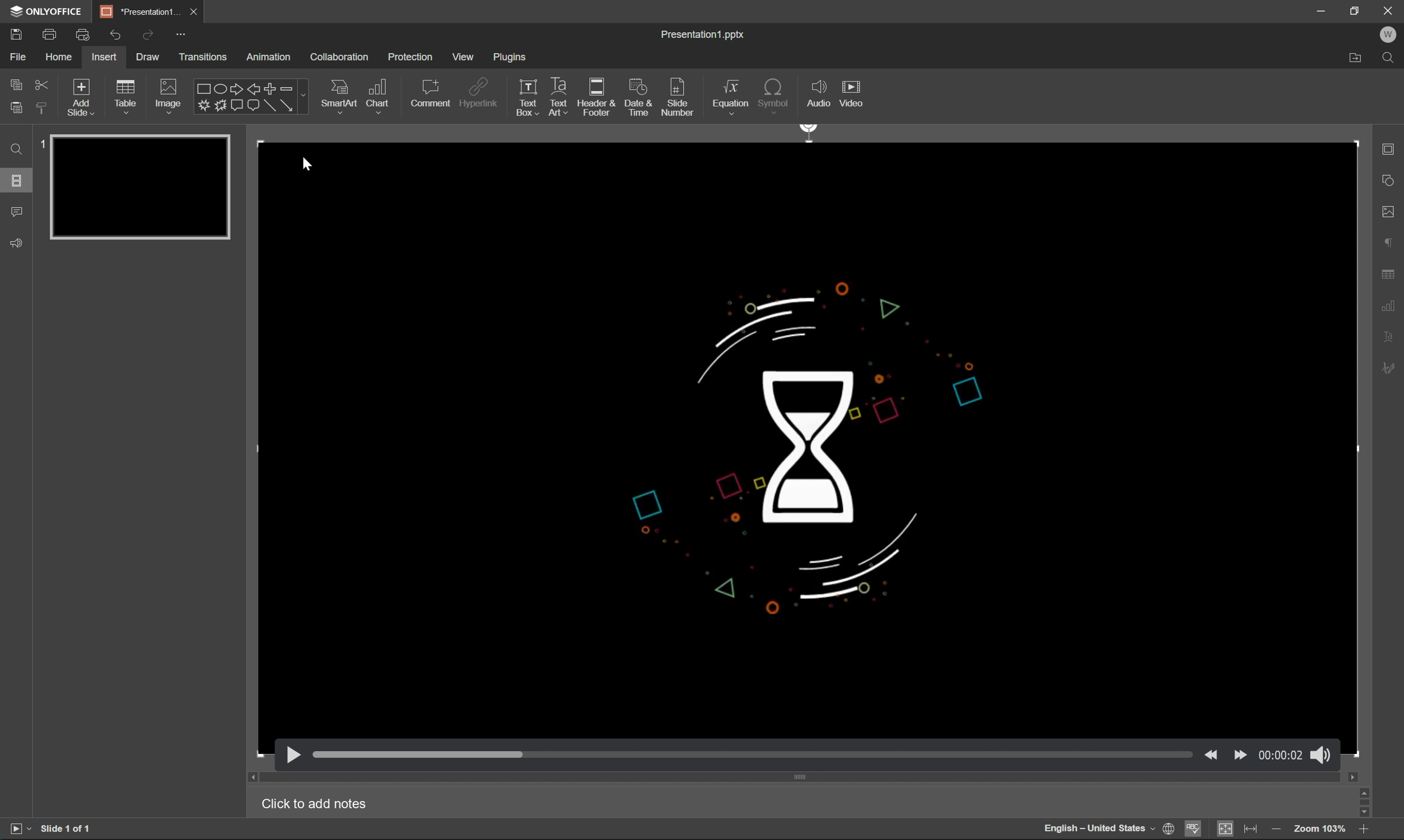 This screenshot has height=840, width=1404. What do you see at coordinates (754, 757) in the screenshot?
I see `slider` at bounding box center [754, 757].